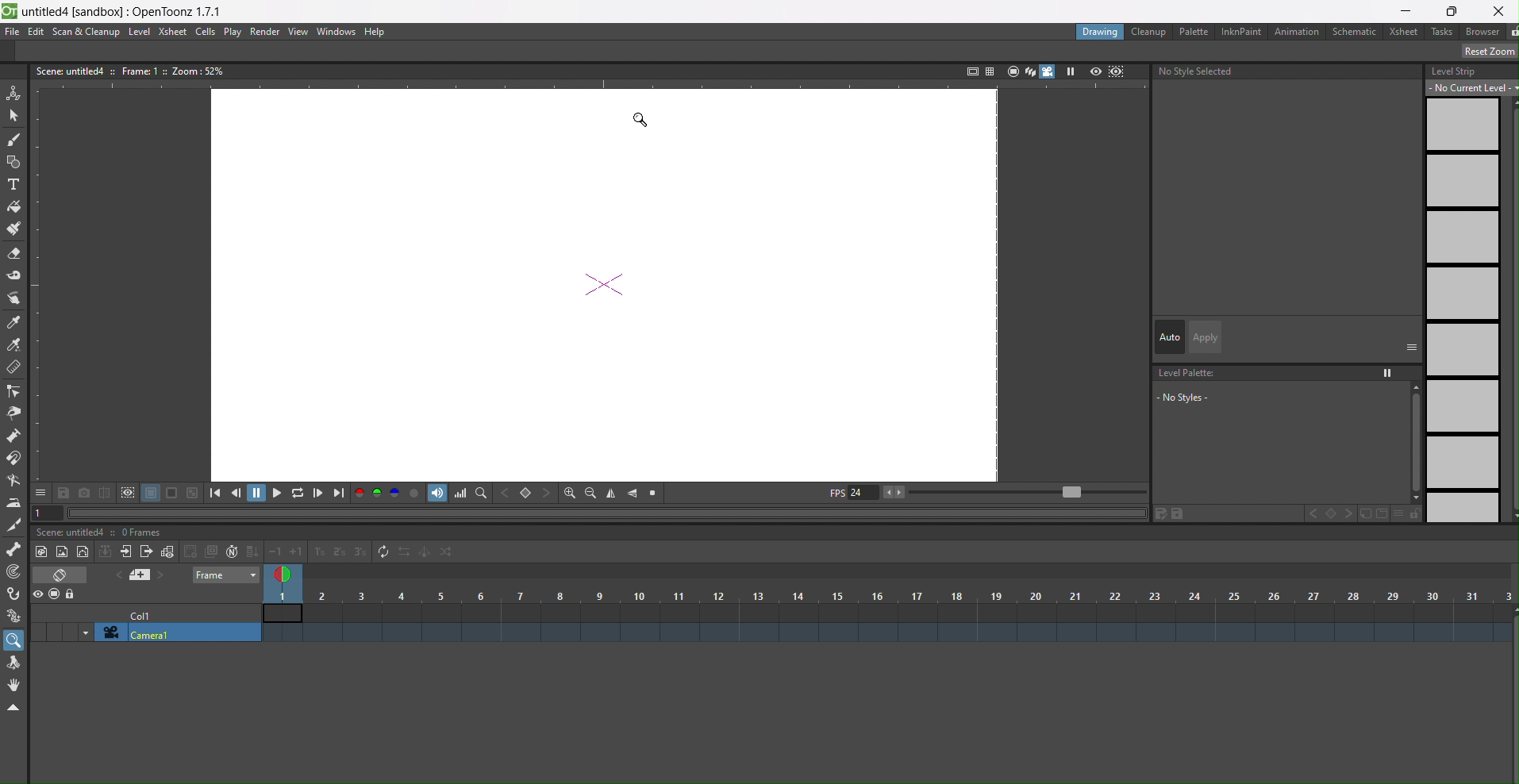 The image size is (1519, 784). Describe the element at coordinates (437, 494) in the screenshot. I see `audio` at that location.